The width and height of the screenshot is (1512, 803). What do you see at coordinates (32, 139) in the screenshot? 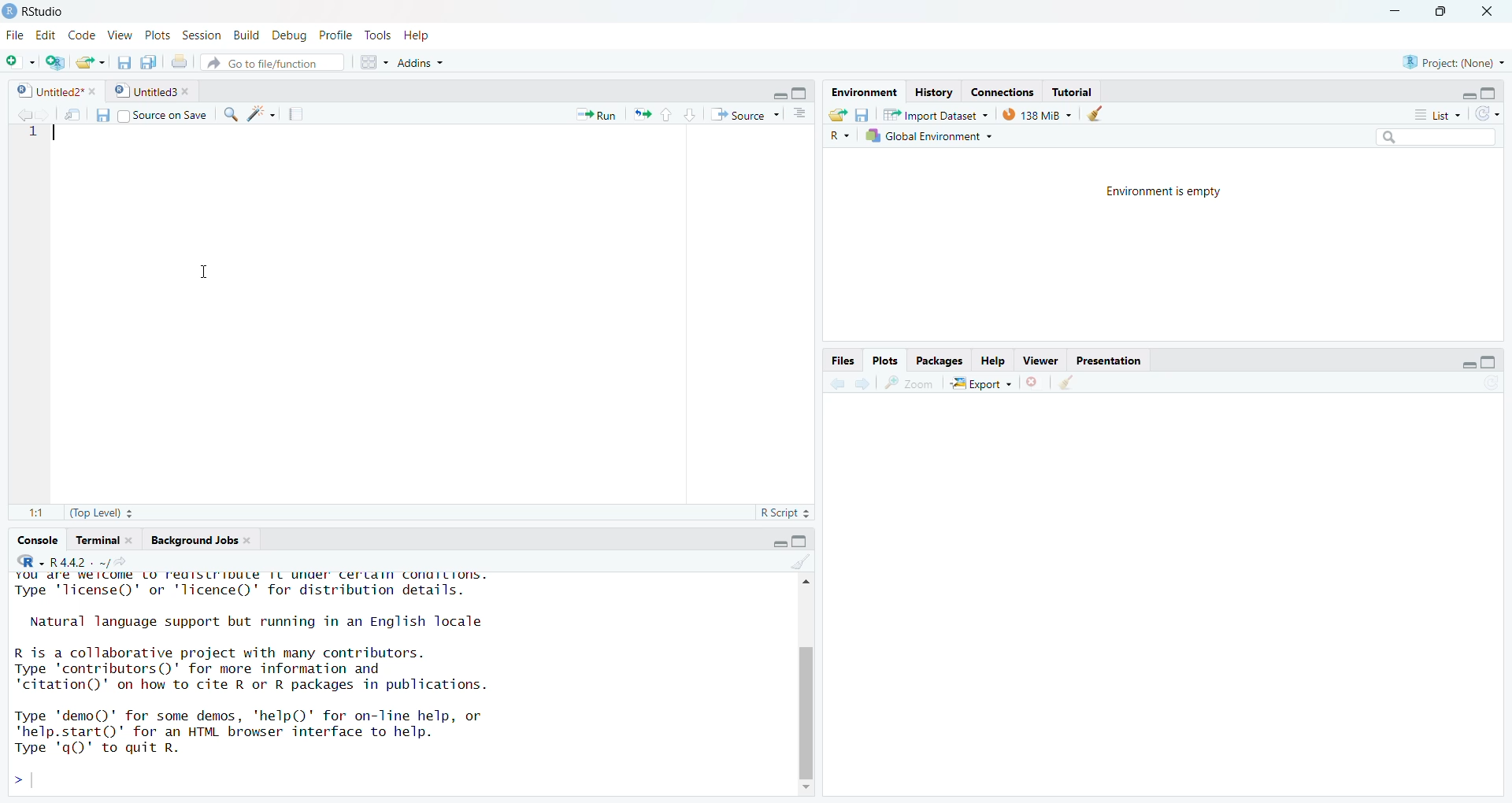
I see `1` at bounding box center [32, 139].